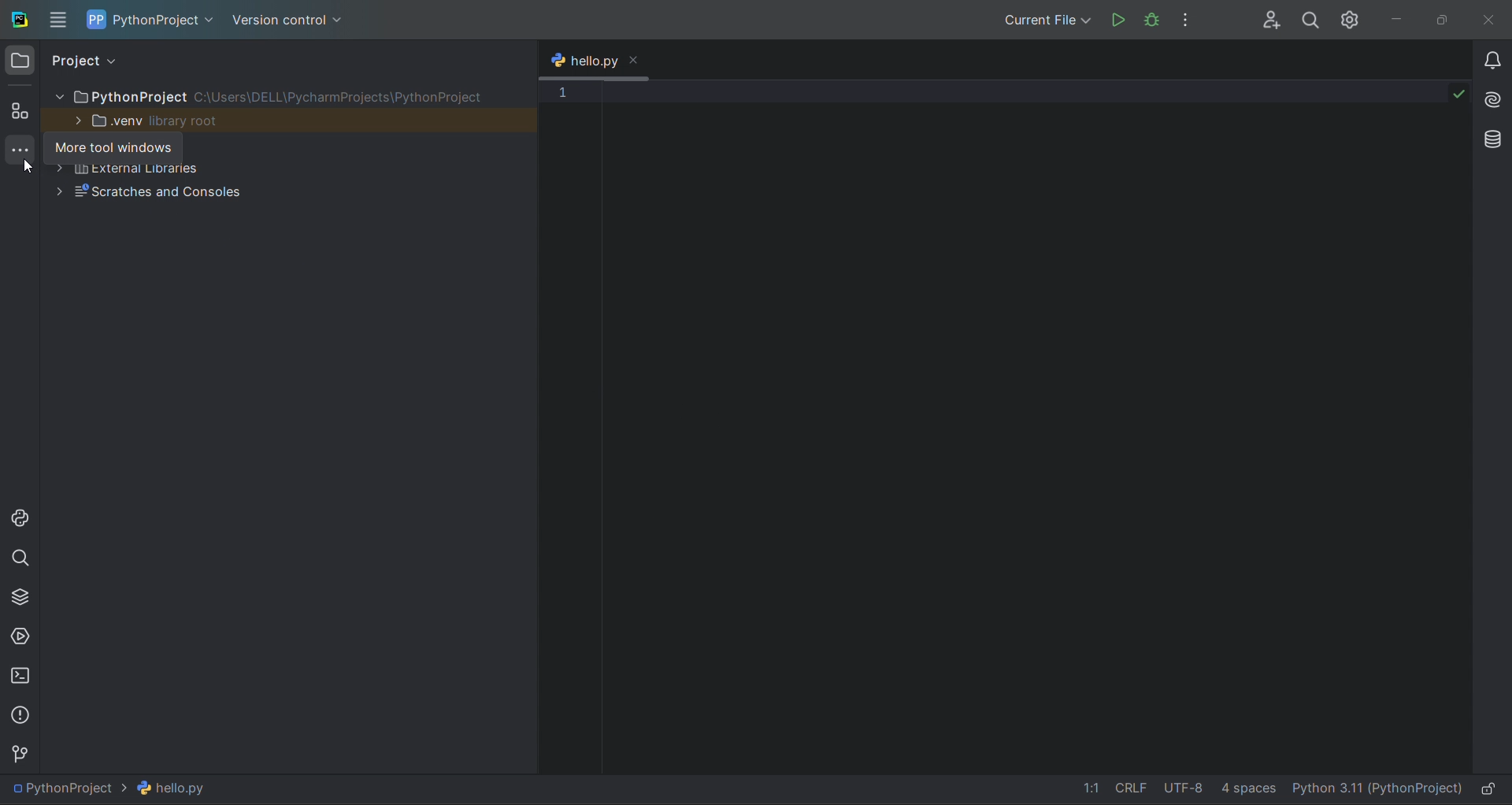 The width and height of the screenshot is (1512, 805). Describe the element at coordinates (1310, 20) in the screenshot. I see `search` at that location.